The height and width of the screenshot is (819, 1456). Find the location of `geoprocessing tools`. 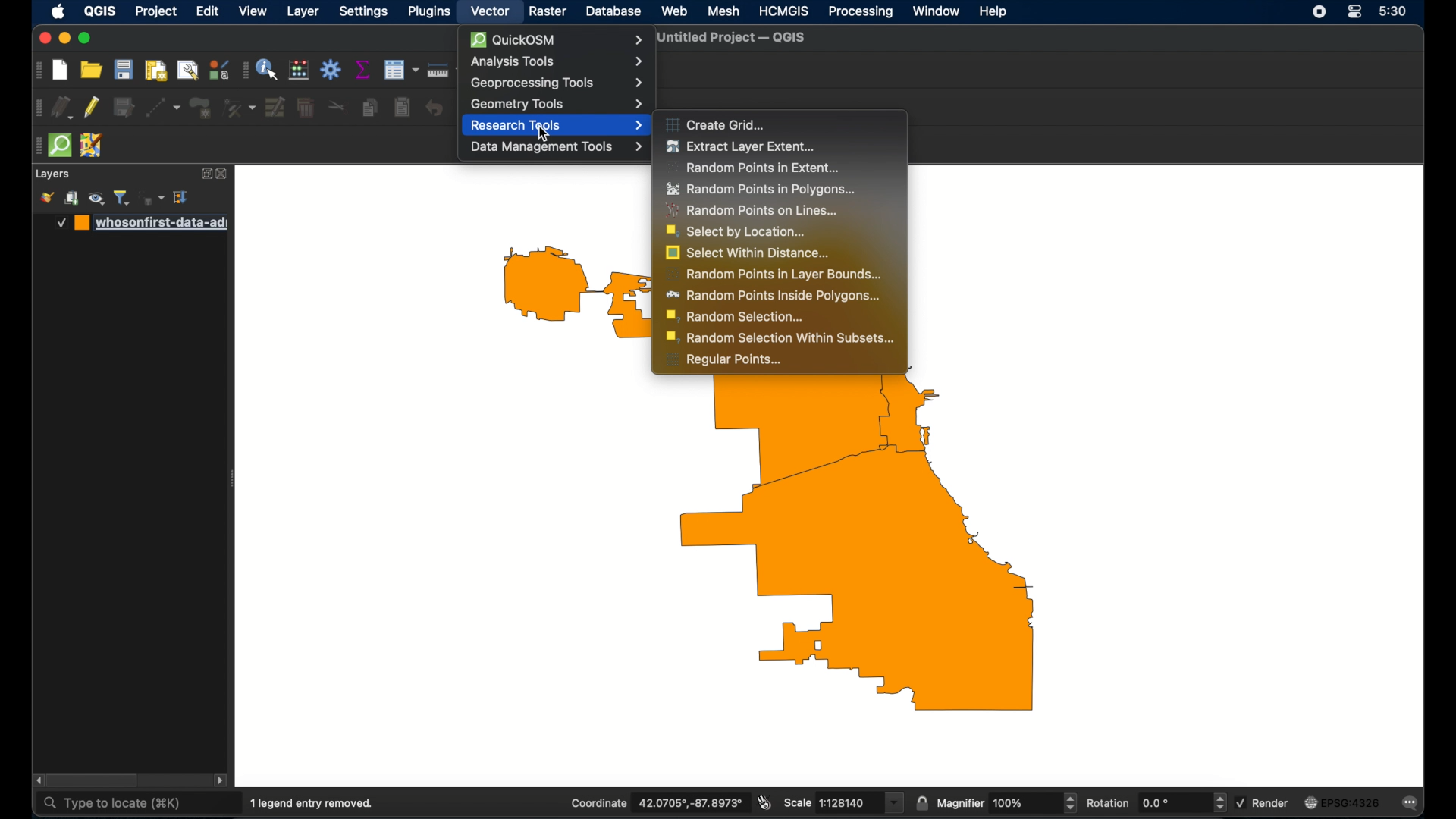

geoprocessing tools is located at coordinates (555, 82).